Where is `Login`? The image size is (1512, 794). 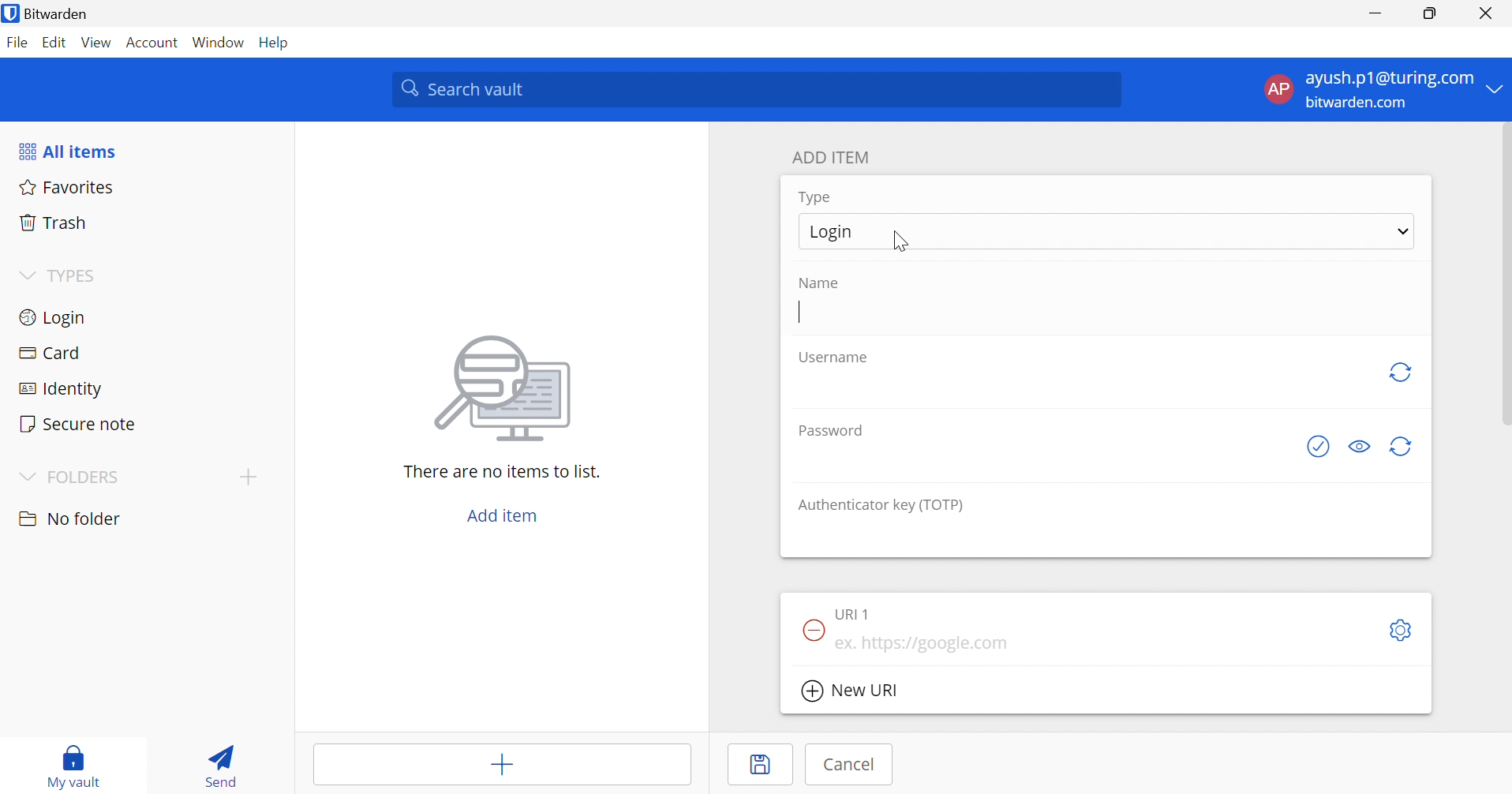 Login is located at coordinates (51, 320).